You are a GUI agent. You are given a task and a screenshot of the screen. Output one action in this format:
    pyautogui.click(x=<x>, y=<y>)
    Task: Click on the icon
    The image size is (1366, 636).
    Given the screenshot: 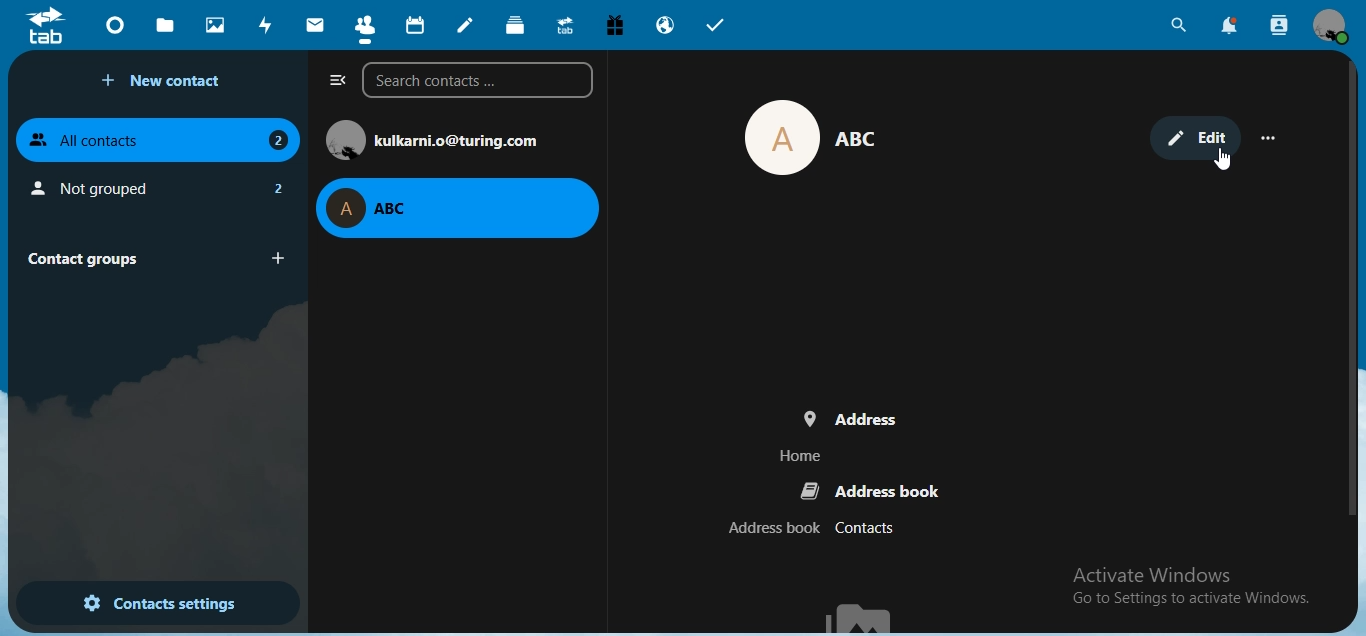 What is the action you would take?
    pyautogui.click(x=48, y=25)
    